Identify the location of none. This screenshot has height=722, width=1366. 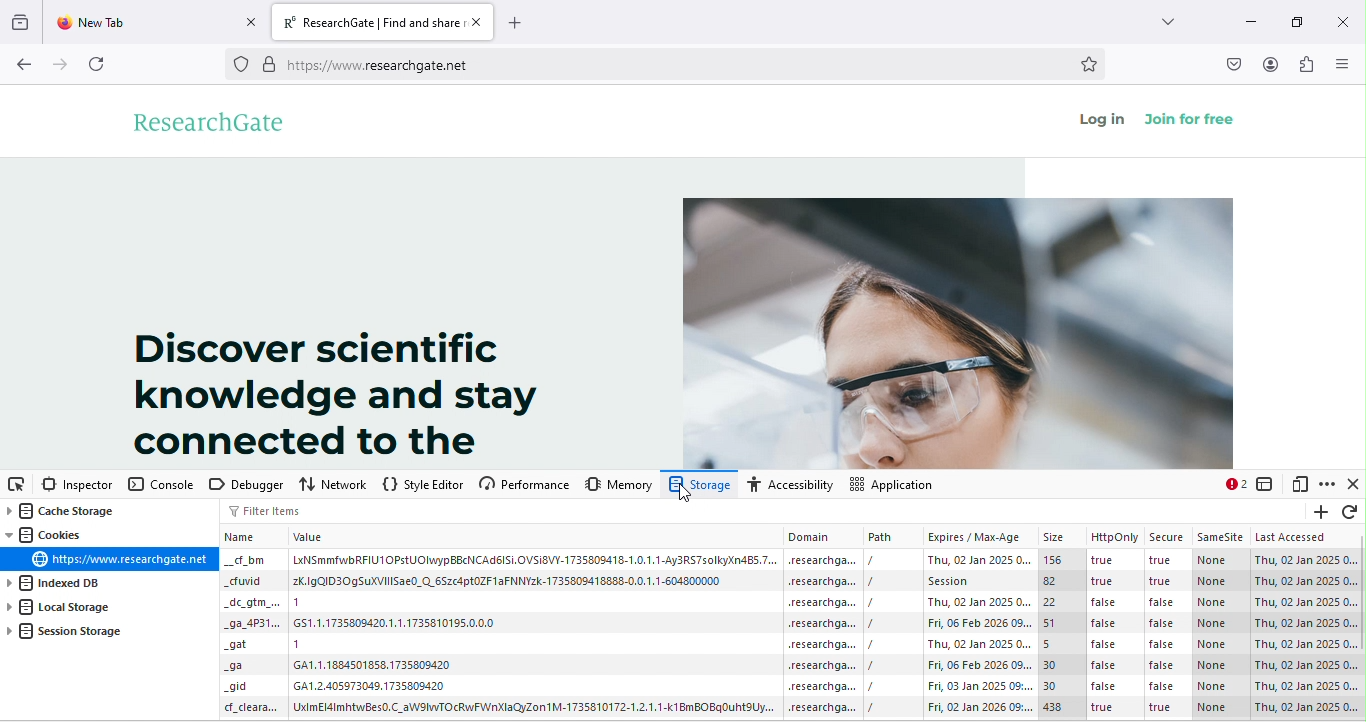
(1210, 665).